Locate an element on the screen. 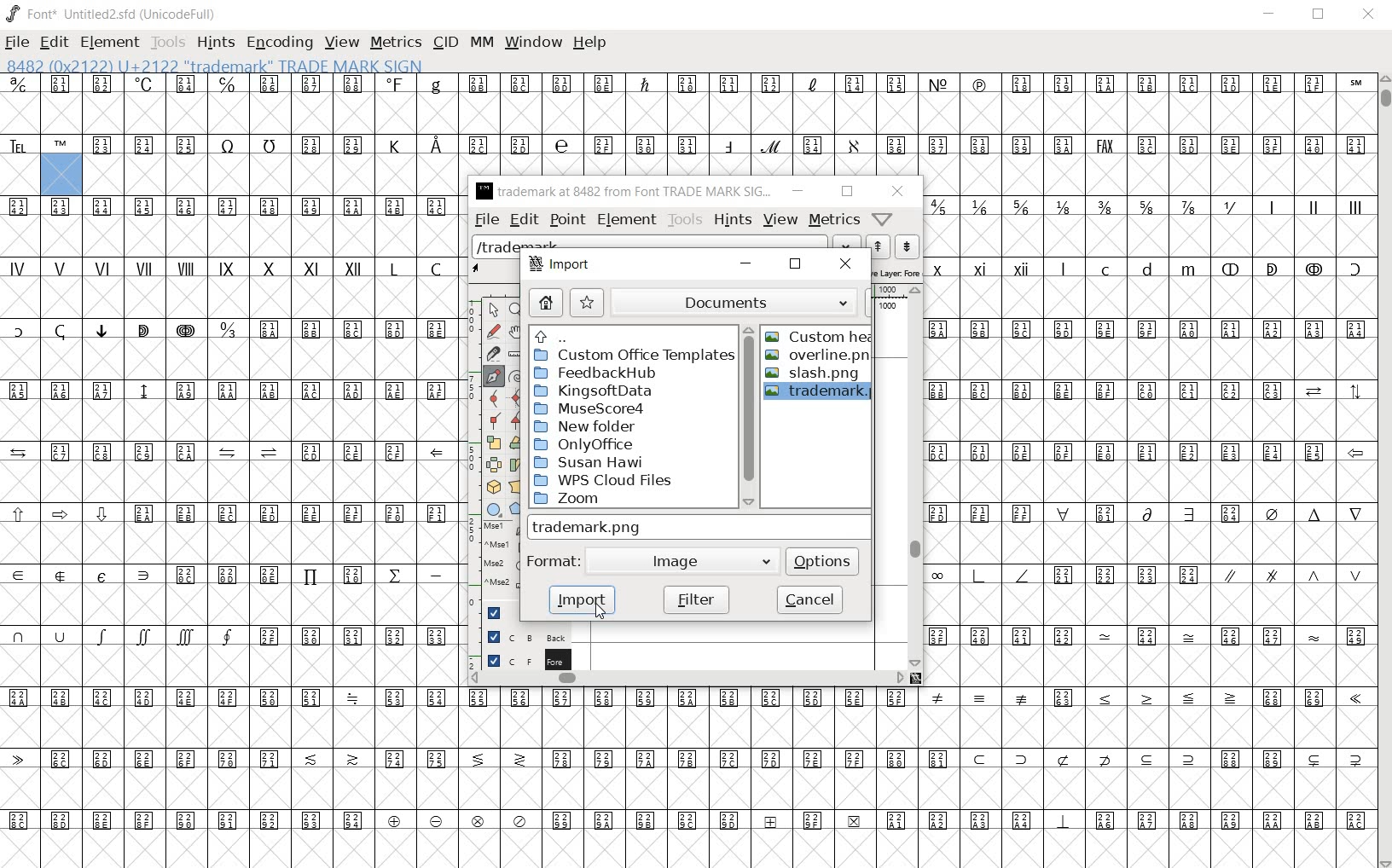 The height and width of the screenshot is (868, 1392). options is located at coordinates (823, 560).